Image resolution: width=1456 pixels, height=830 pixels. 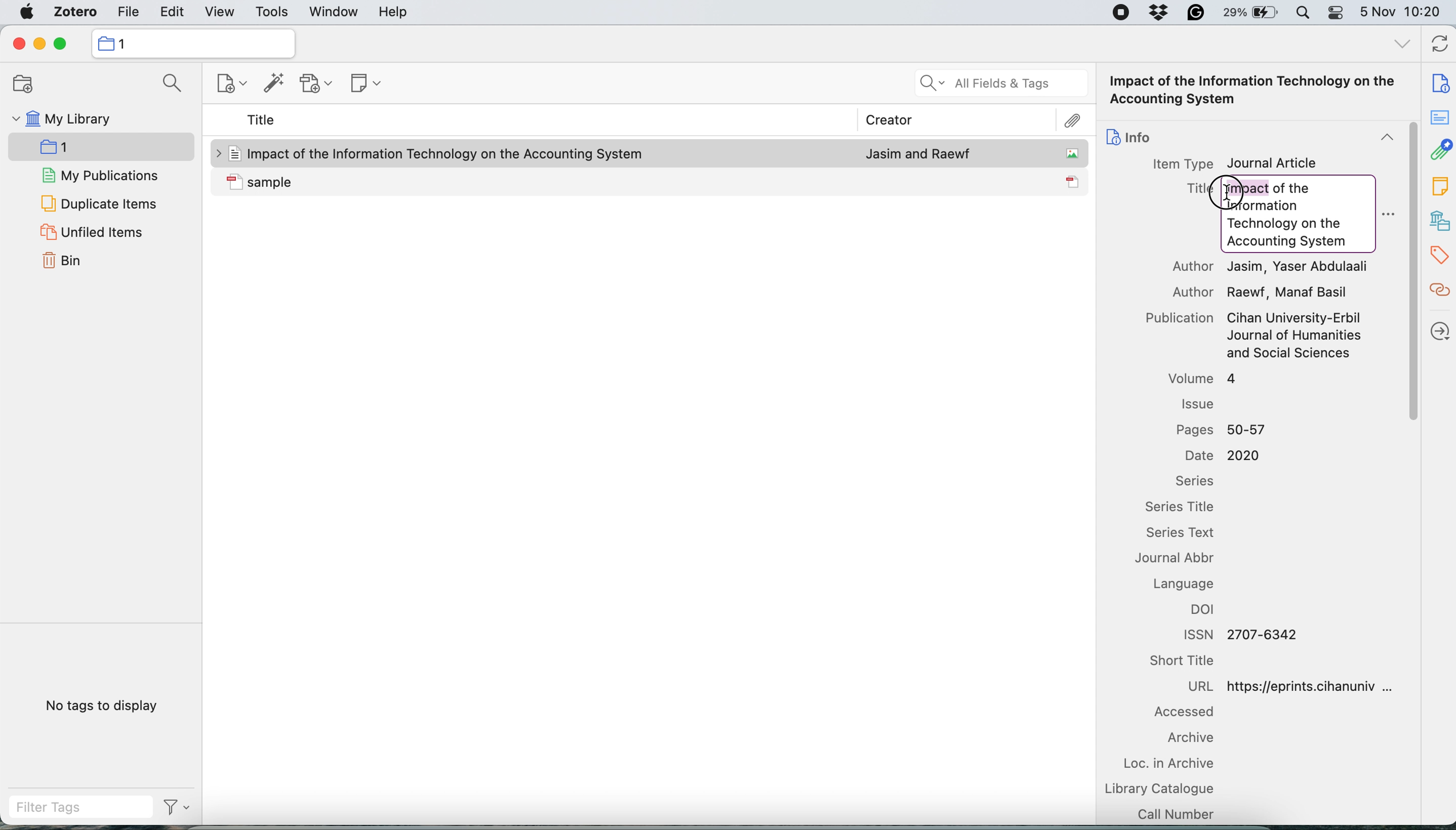 What do you see at coordinates (92, 232) in the screenshot?
I see `unfiled items` at bounding box center [92, 232].